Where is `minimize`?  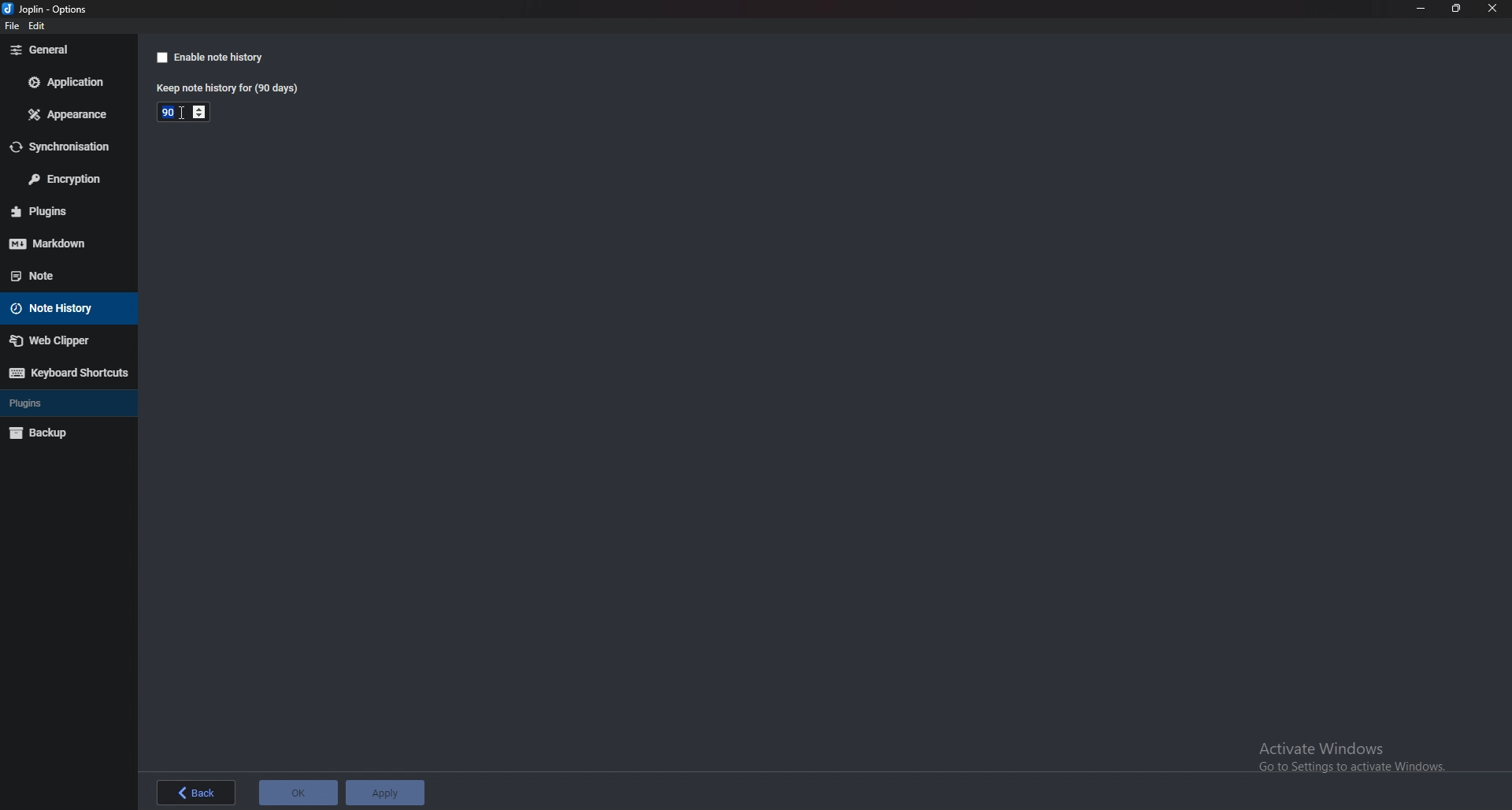
minimize is located at coordinates (1421, 9).